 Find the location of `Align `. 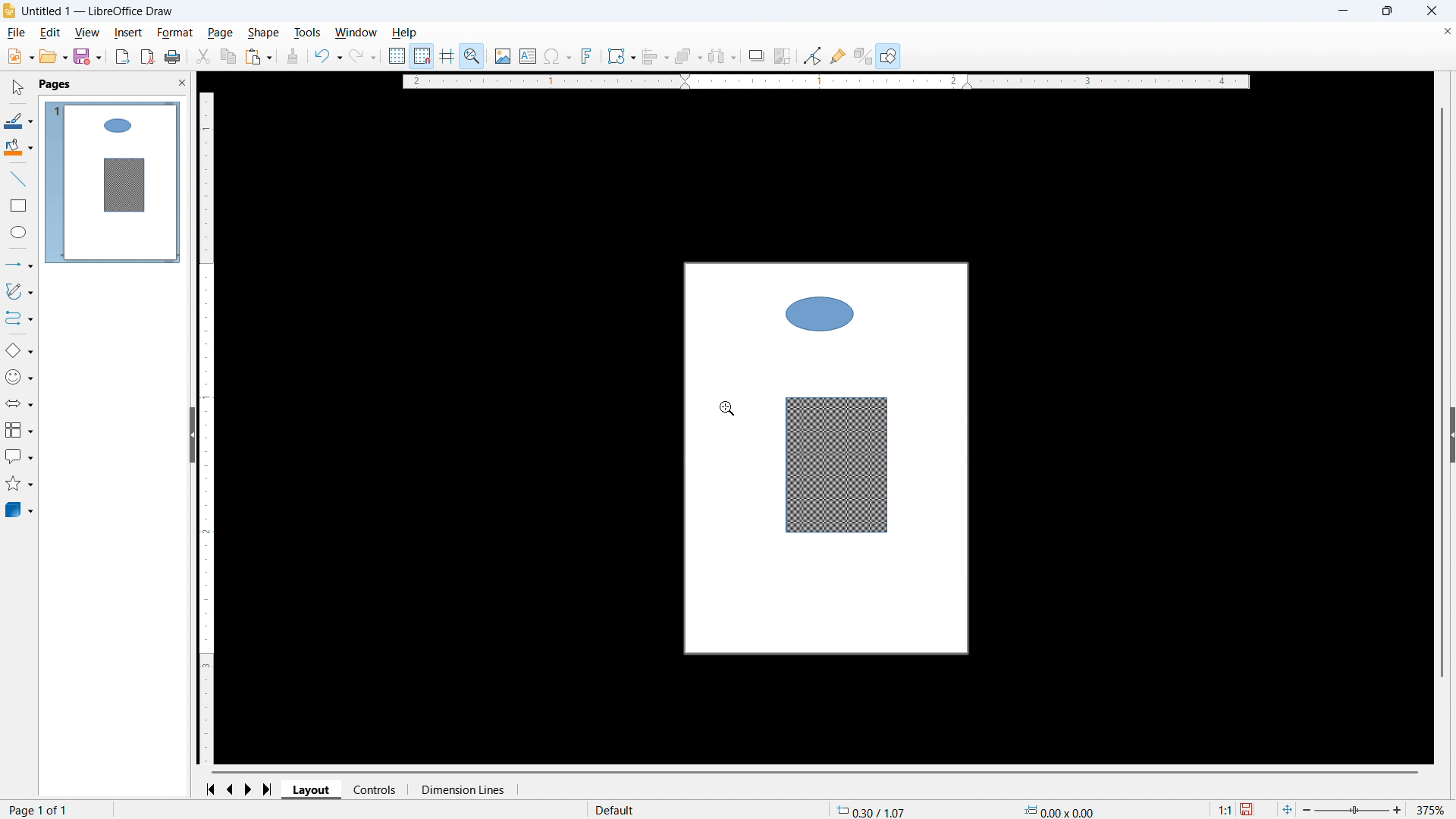

Align  is located at coordinates (655, 56).